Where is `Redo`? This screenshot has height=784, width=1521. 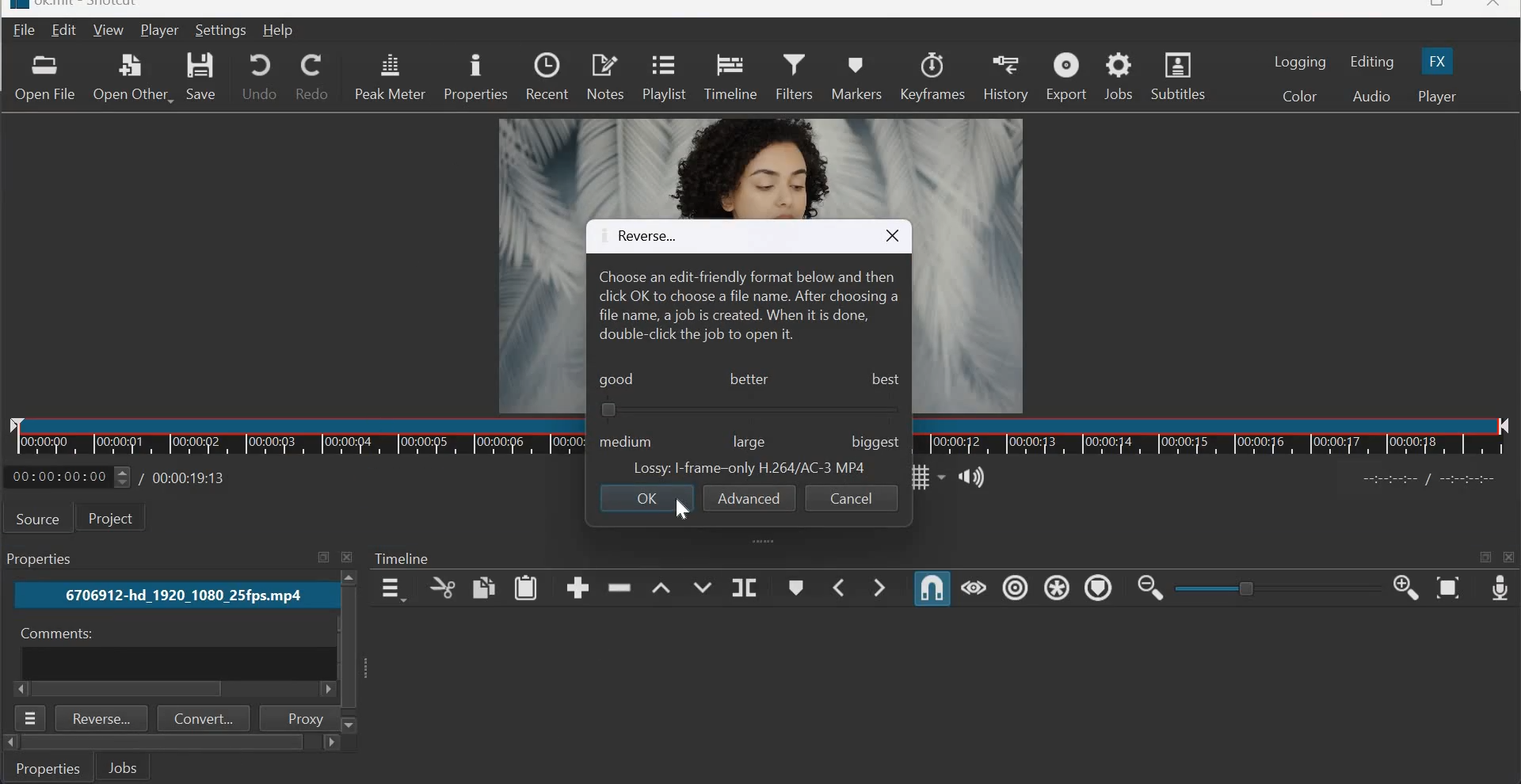
Redo is located at coordinates (312, 77).